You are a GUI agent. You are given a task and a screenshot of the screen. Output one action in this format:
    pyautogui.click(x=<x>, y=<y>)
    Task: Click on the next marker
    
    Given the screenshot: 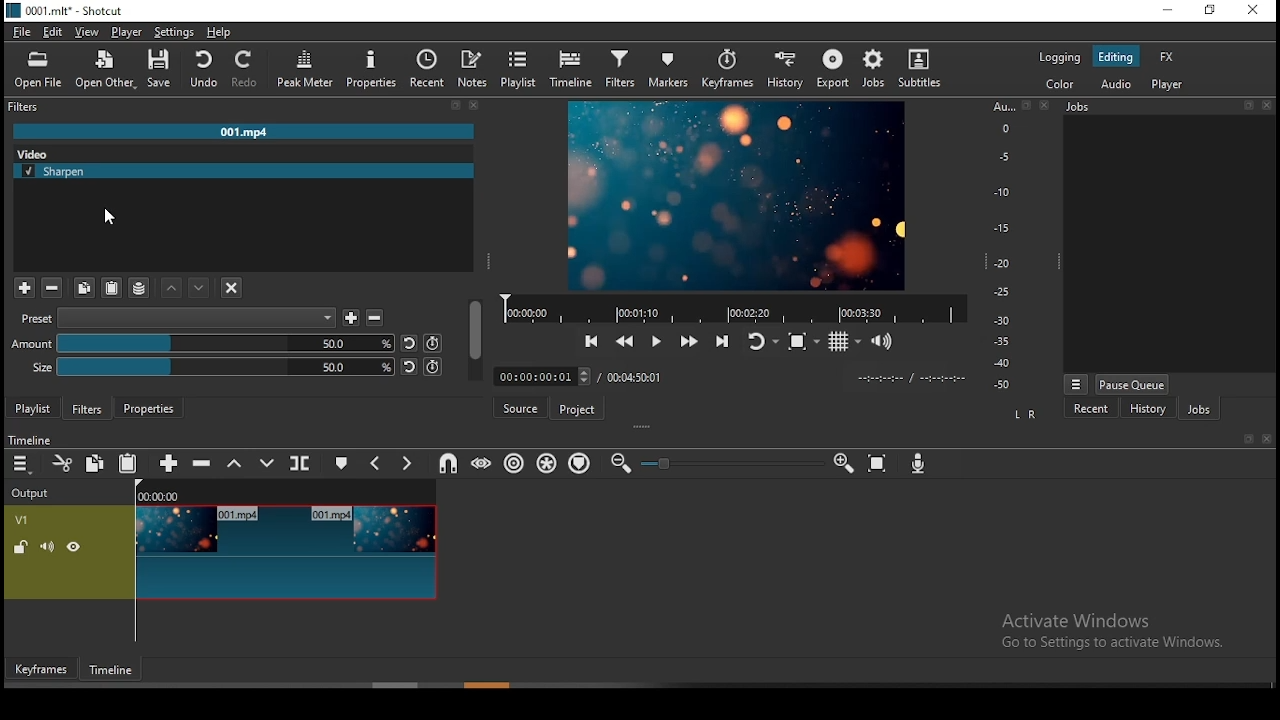 What is the action you would take?
    pyautogui.click(x=406, y=461)
    